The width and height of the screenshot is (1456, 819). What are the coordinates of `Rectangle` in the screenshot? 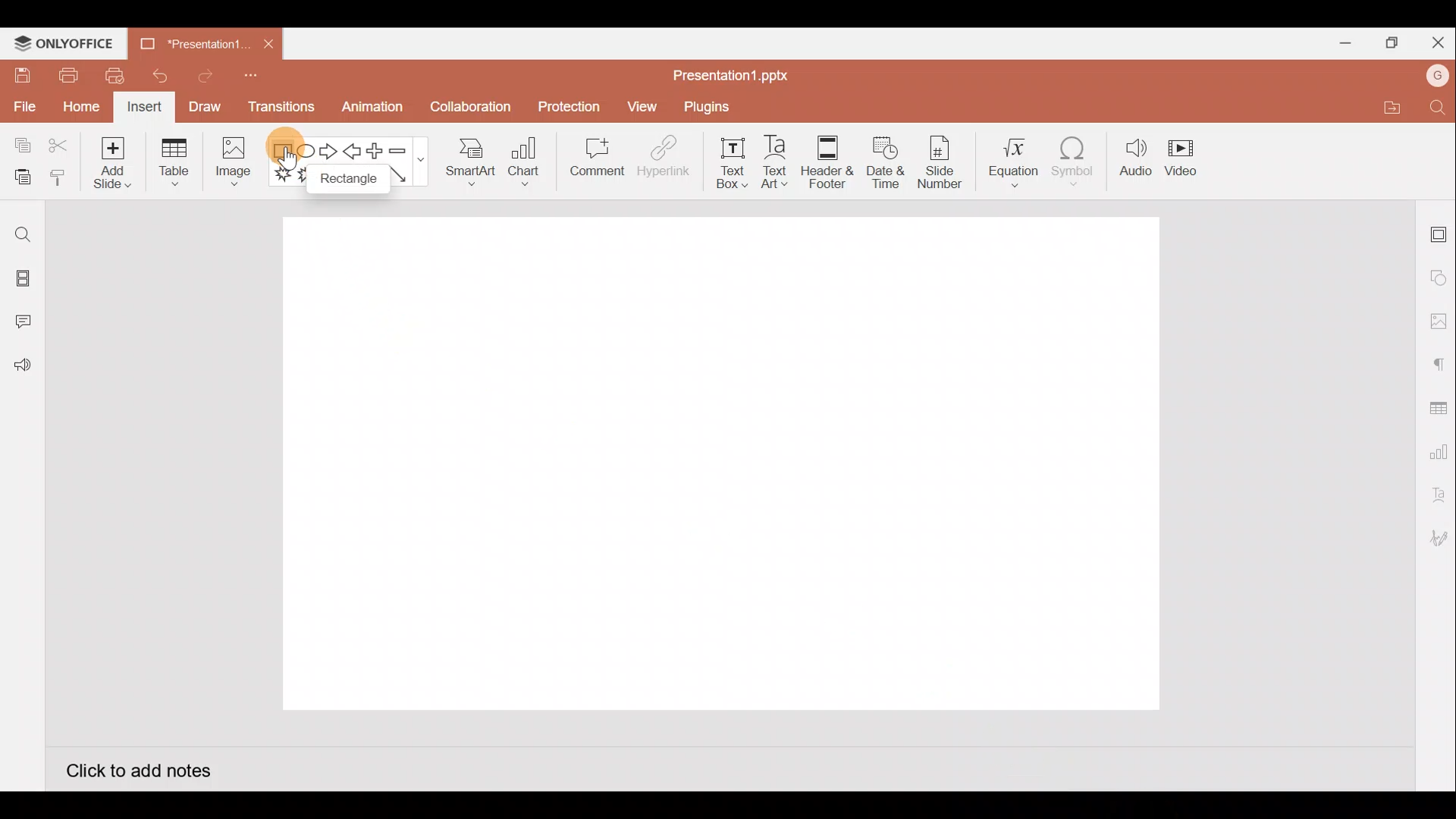 It's located at (347, 180).